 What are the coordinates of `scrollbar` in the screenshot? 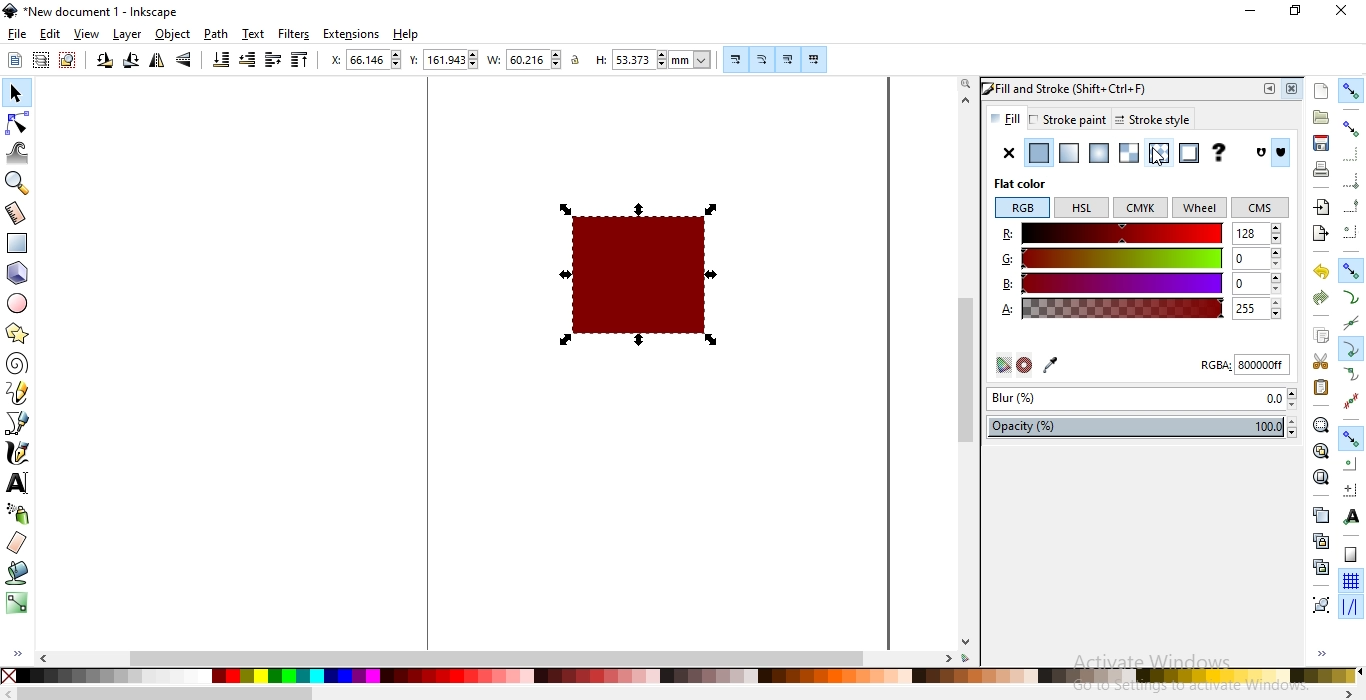 It's located at (658, 658).